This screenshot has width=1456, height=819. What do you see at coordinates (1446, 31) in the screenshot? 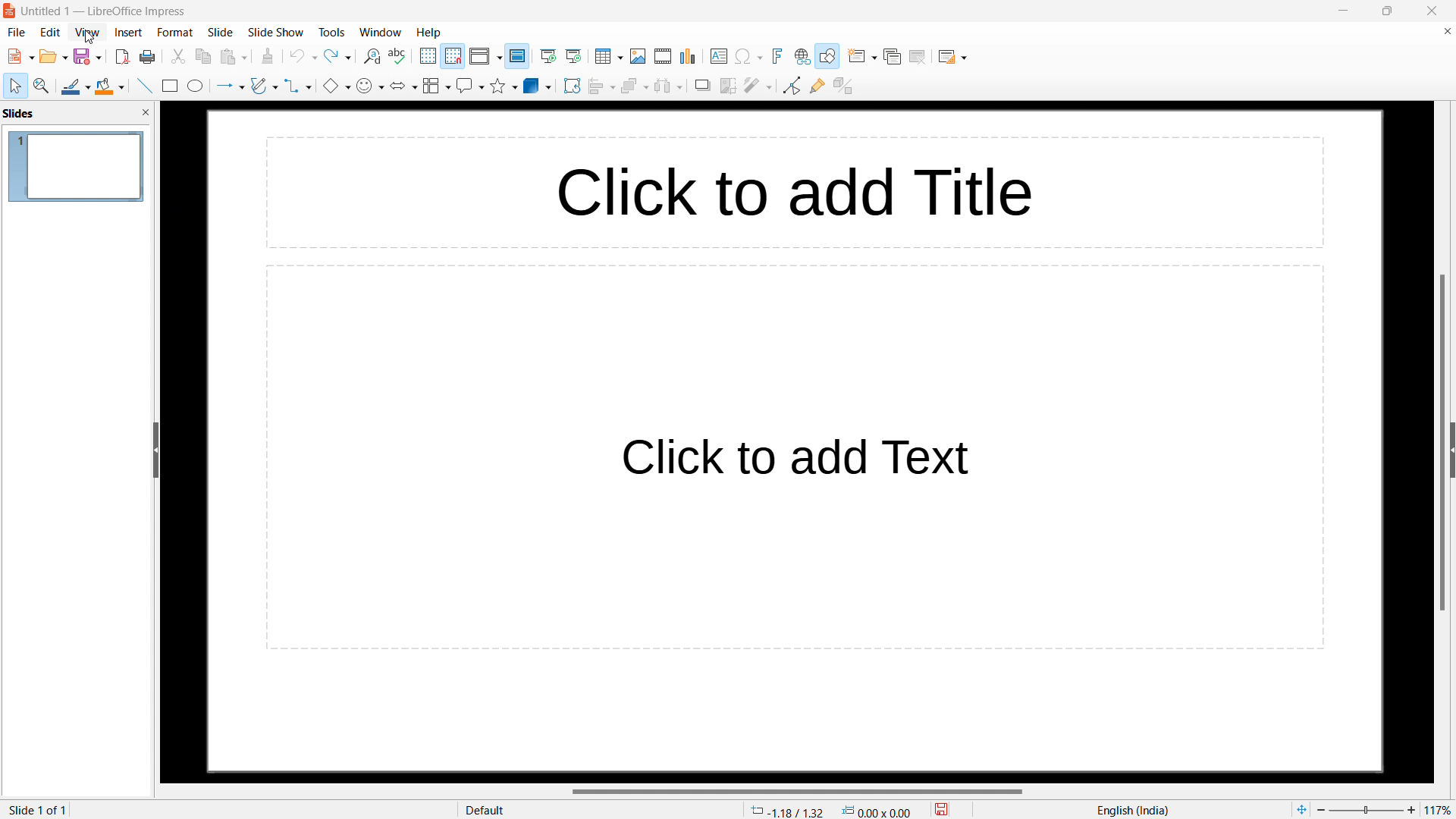
I see `close document` at bounding box center [1446, 31].